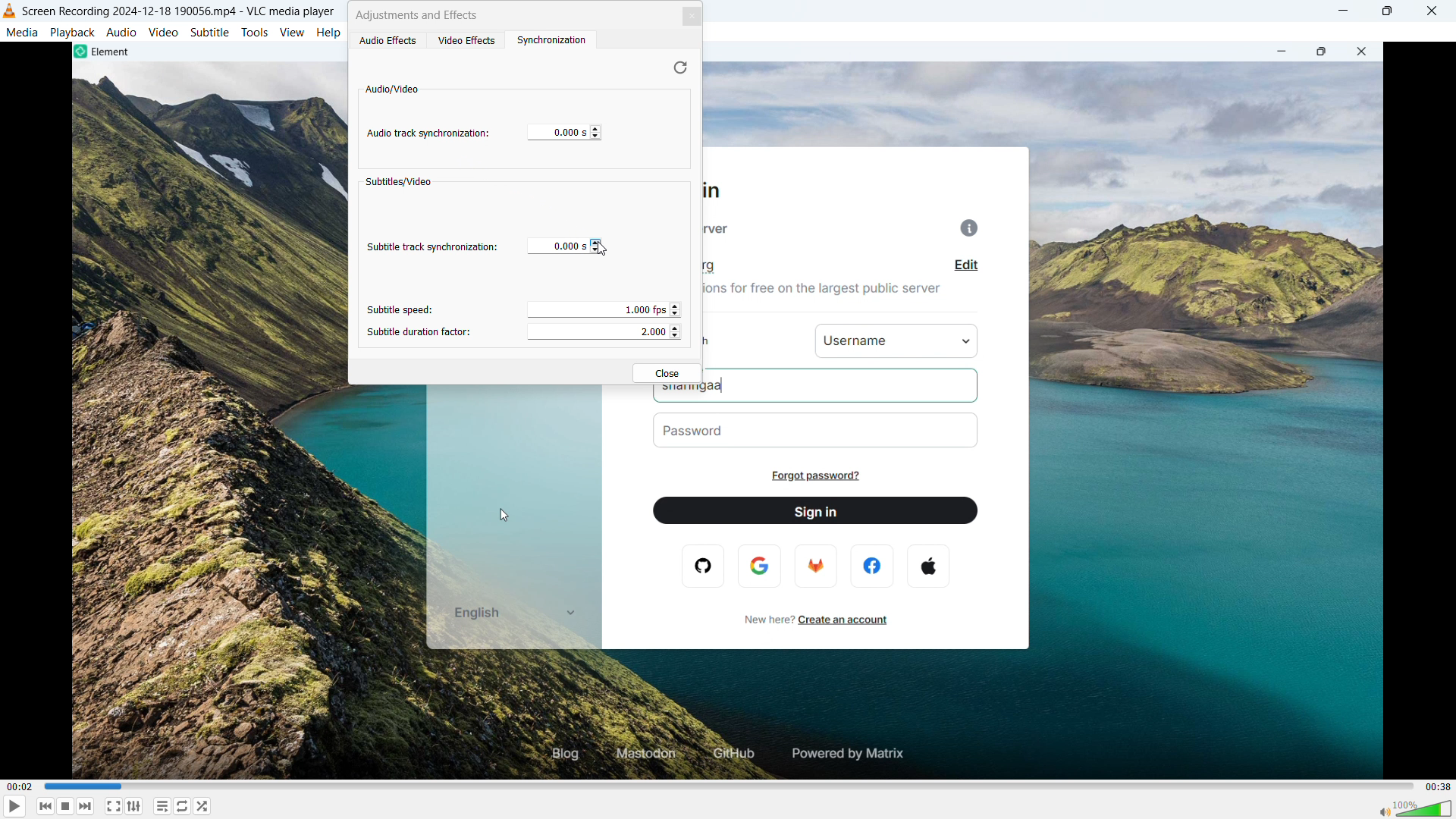  I want to click on time bar, so click(730, 786).